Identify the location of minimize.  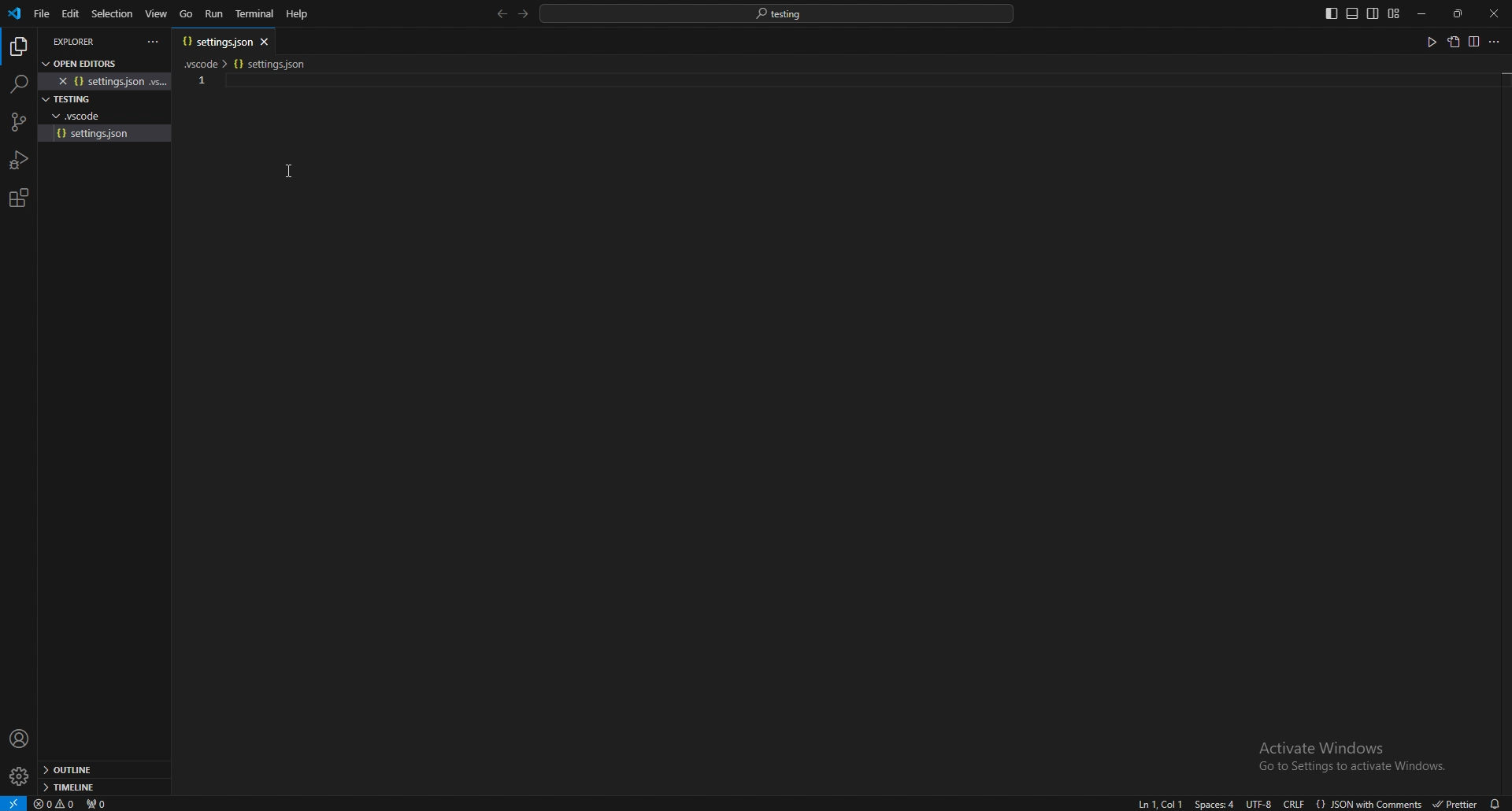
(1423, 14).